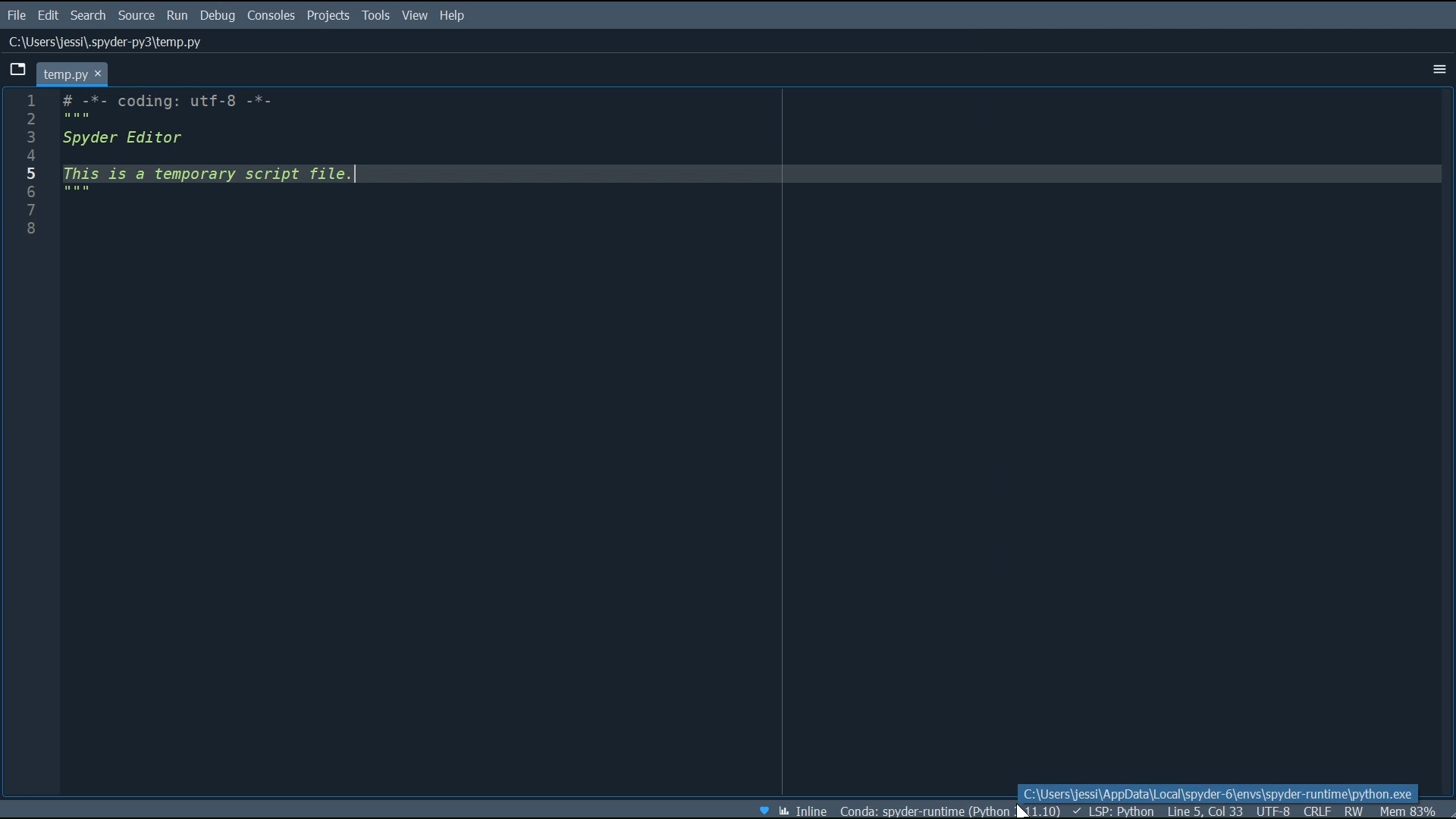 This screenshot has width=1456, height=819. Describe the element at coordinates (89, 15) in the screenshot. I see `Search` at that location.